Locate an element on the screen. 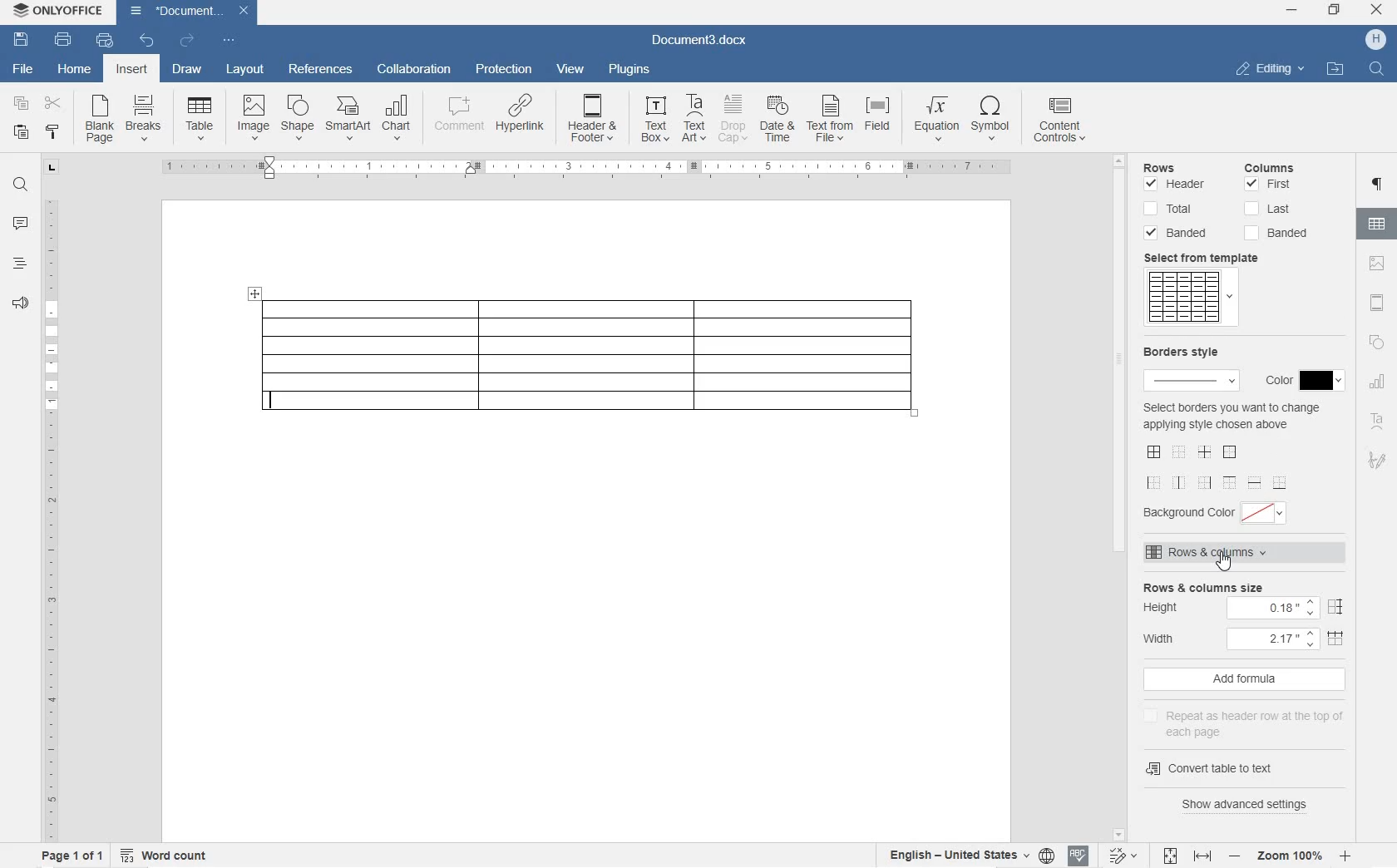 This screenshot has height=868, width=1397. FIND is located at coordinates (1375, 71).